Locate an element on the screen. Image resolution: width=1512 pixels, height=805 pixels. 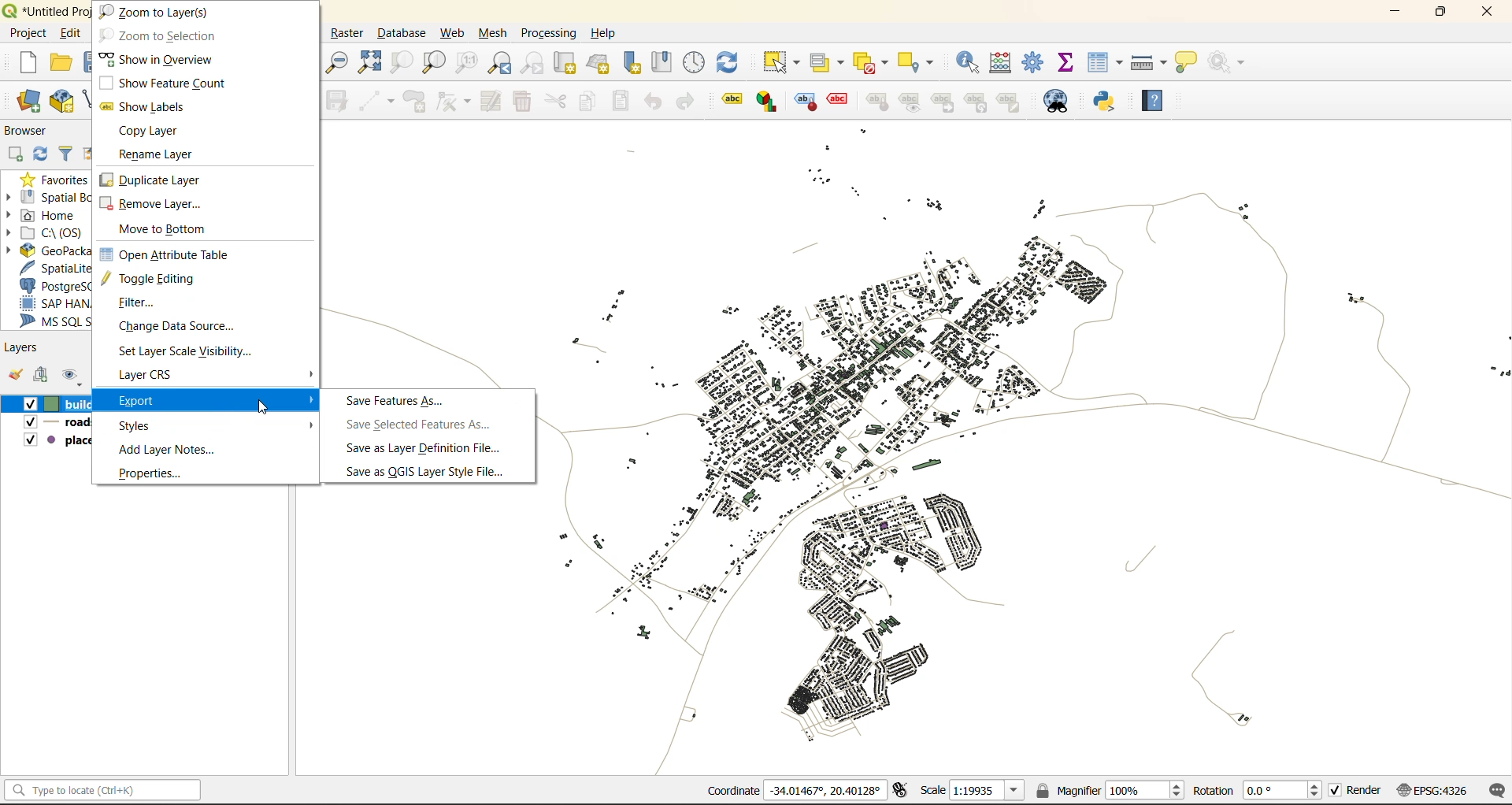
rotate a label is located at coordinates (976, 103).